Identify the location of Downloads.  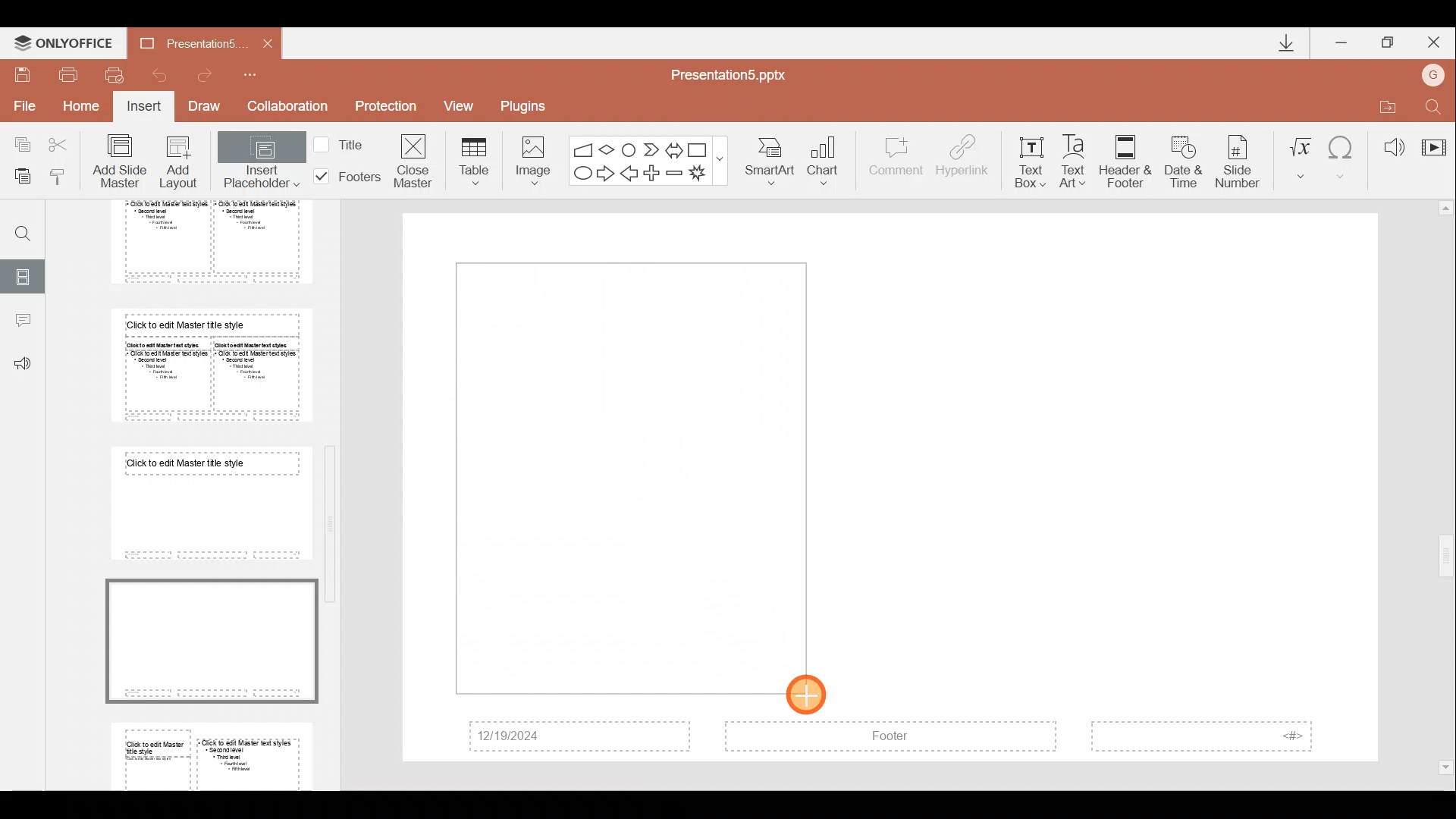
(1280, 42).